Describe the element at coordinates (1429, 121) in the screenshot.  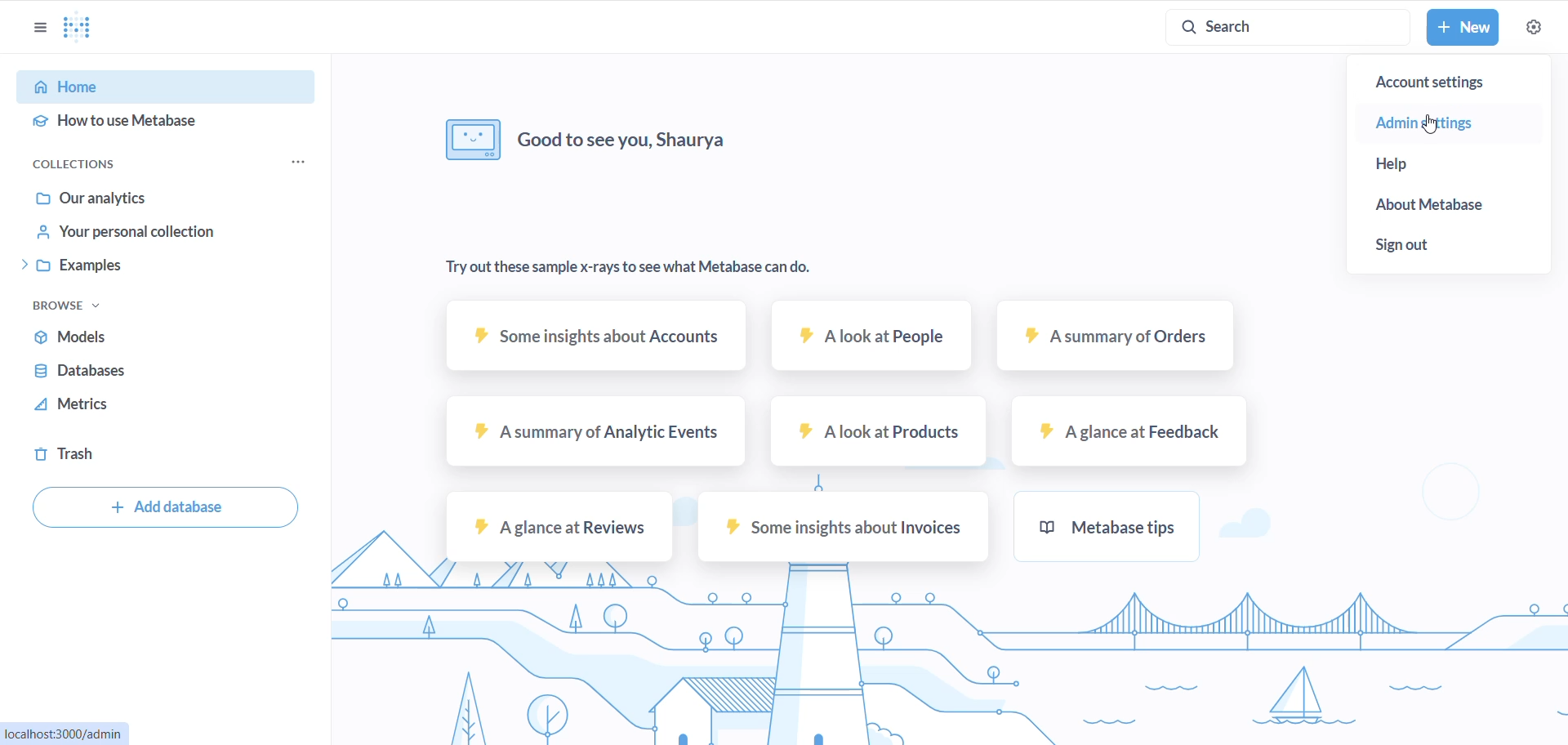
I see `cursor` at that location.